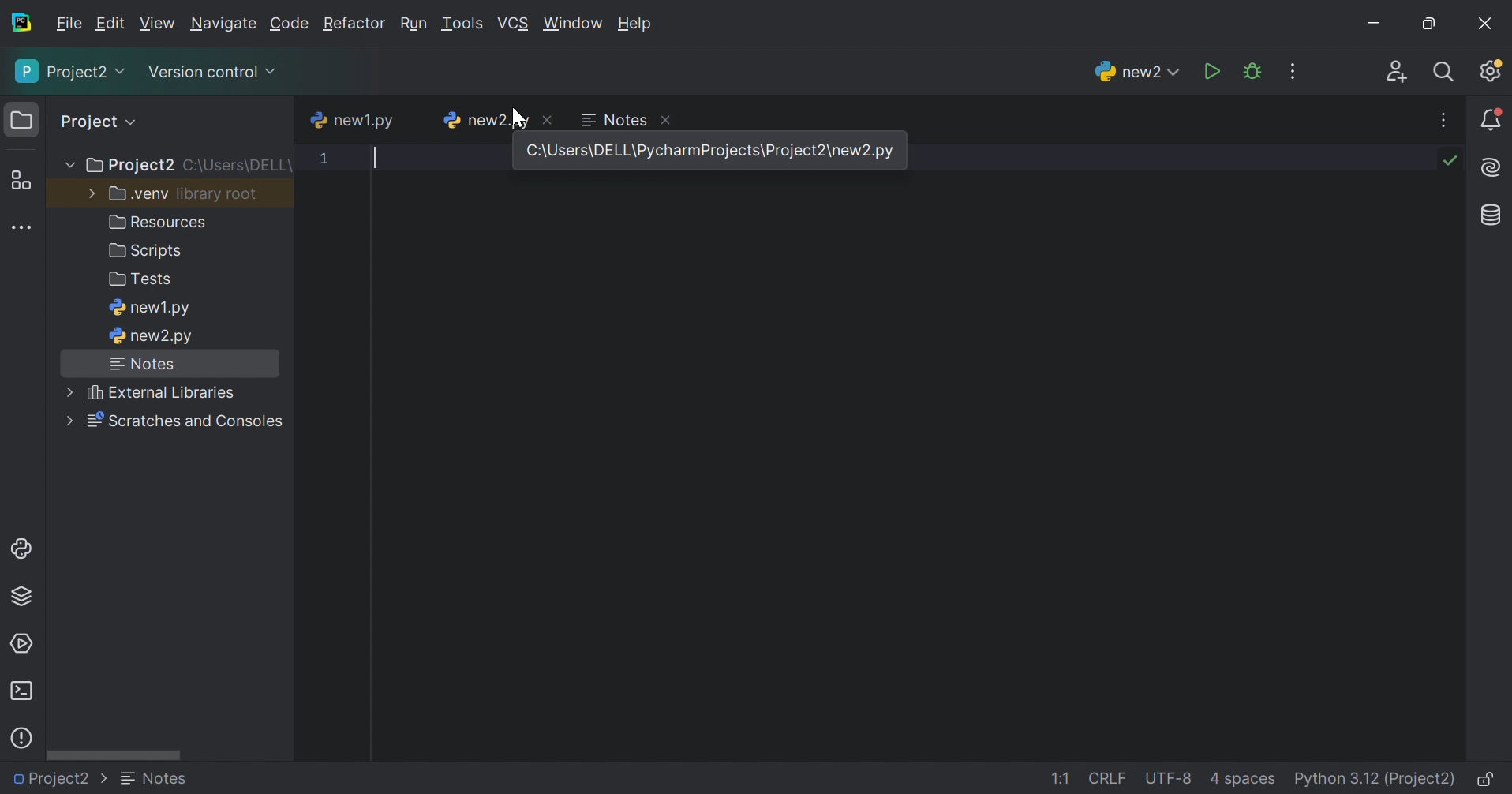 This screenshot has width=1512, height=794. What do you see at coordinates (24, 23) in the screenshot?
I see `PyCharm icon` at bounding box center [24, 23].